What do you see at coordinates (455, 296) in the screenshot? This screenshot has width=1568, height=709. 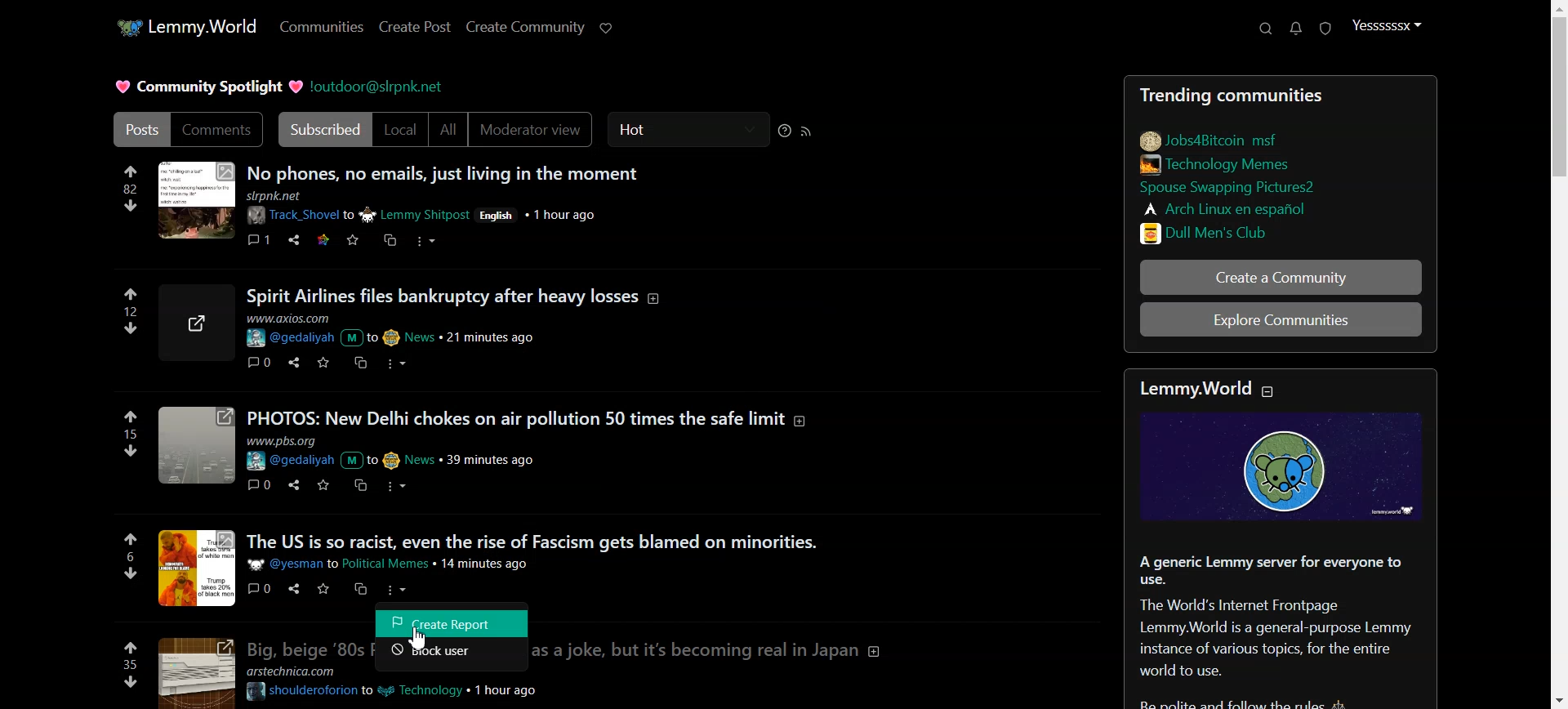 I see `post ` at bounding box center [455, 296].